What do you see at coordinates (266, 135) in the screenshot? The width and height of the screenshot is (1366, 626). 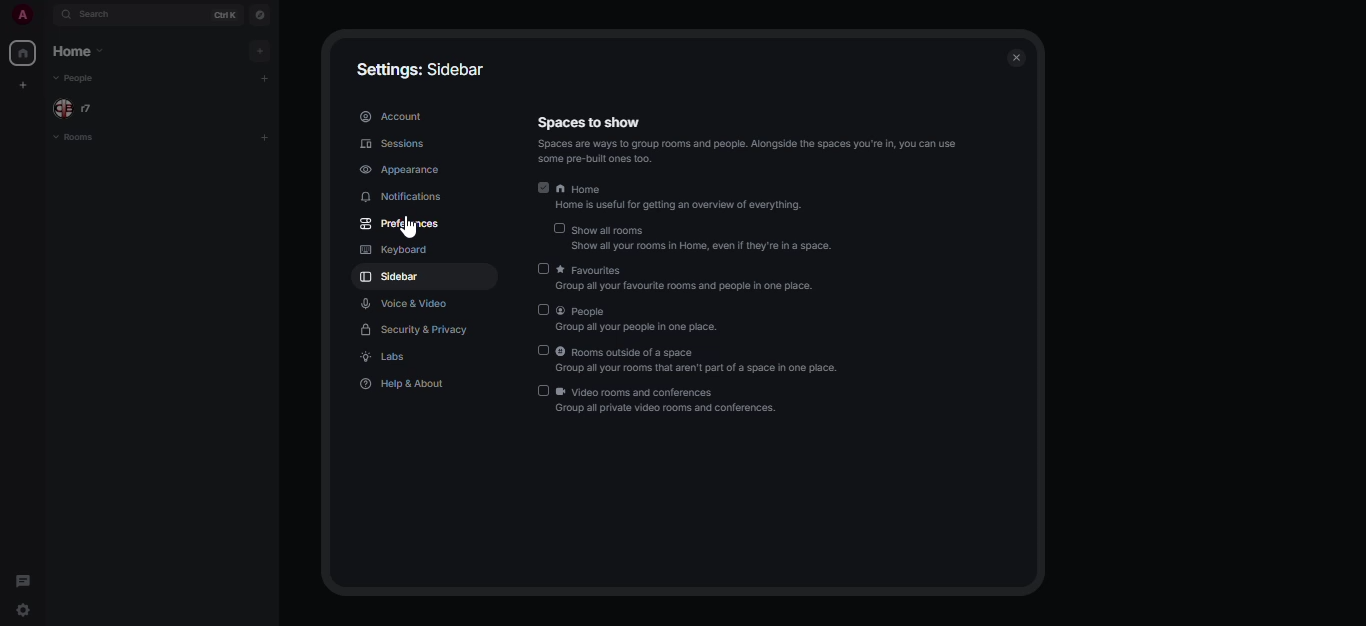 I see `add` at bounding box center [266, 135].